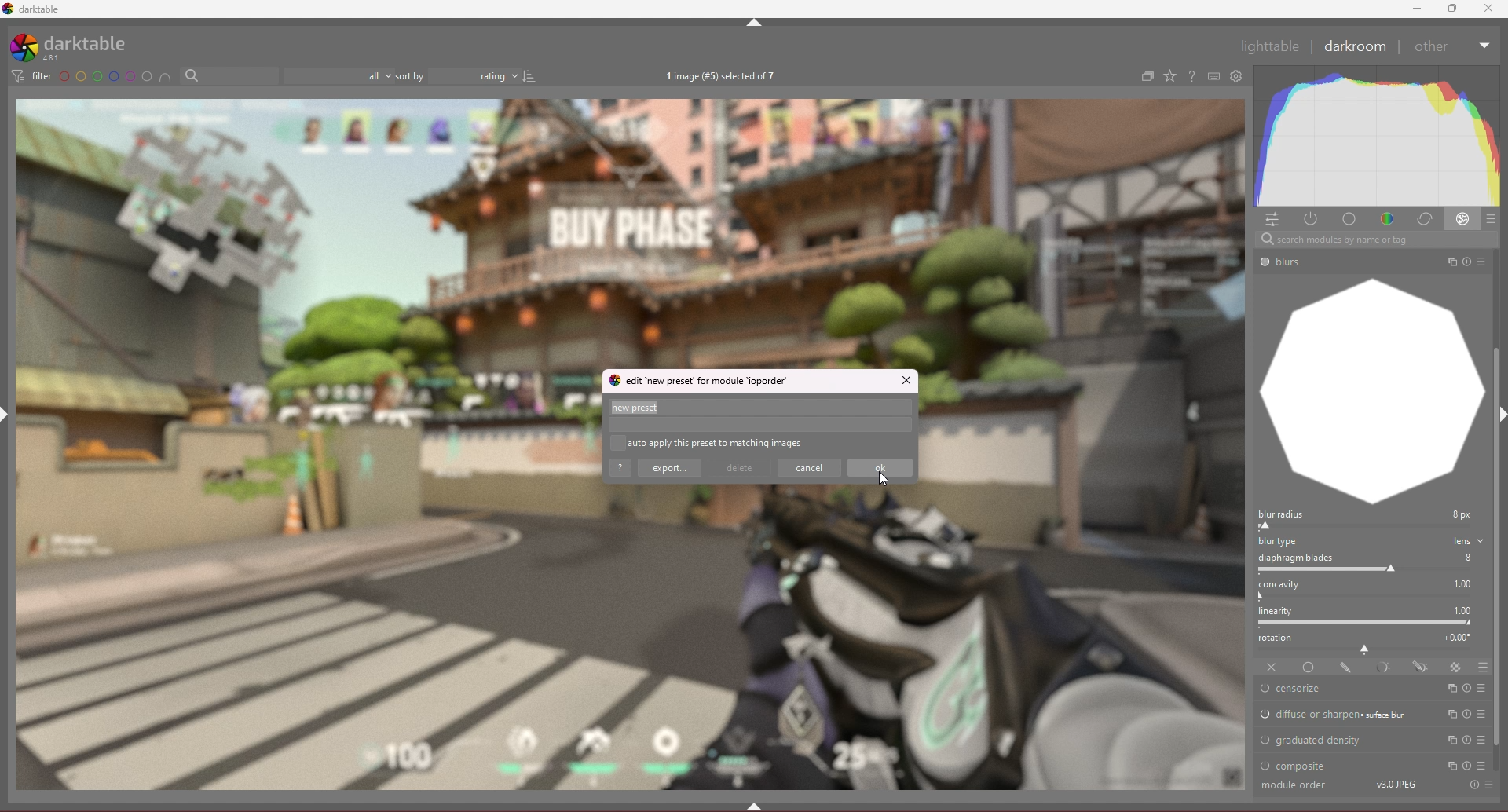 The height and width of the screenshot is (812, 1508). Describe the element at coordinates (1424, 219) in the screenshot. I see `correct` at that location.